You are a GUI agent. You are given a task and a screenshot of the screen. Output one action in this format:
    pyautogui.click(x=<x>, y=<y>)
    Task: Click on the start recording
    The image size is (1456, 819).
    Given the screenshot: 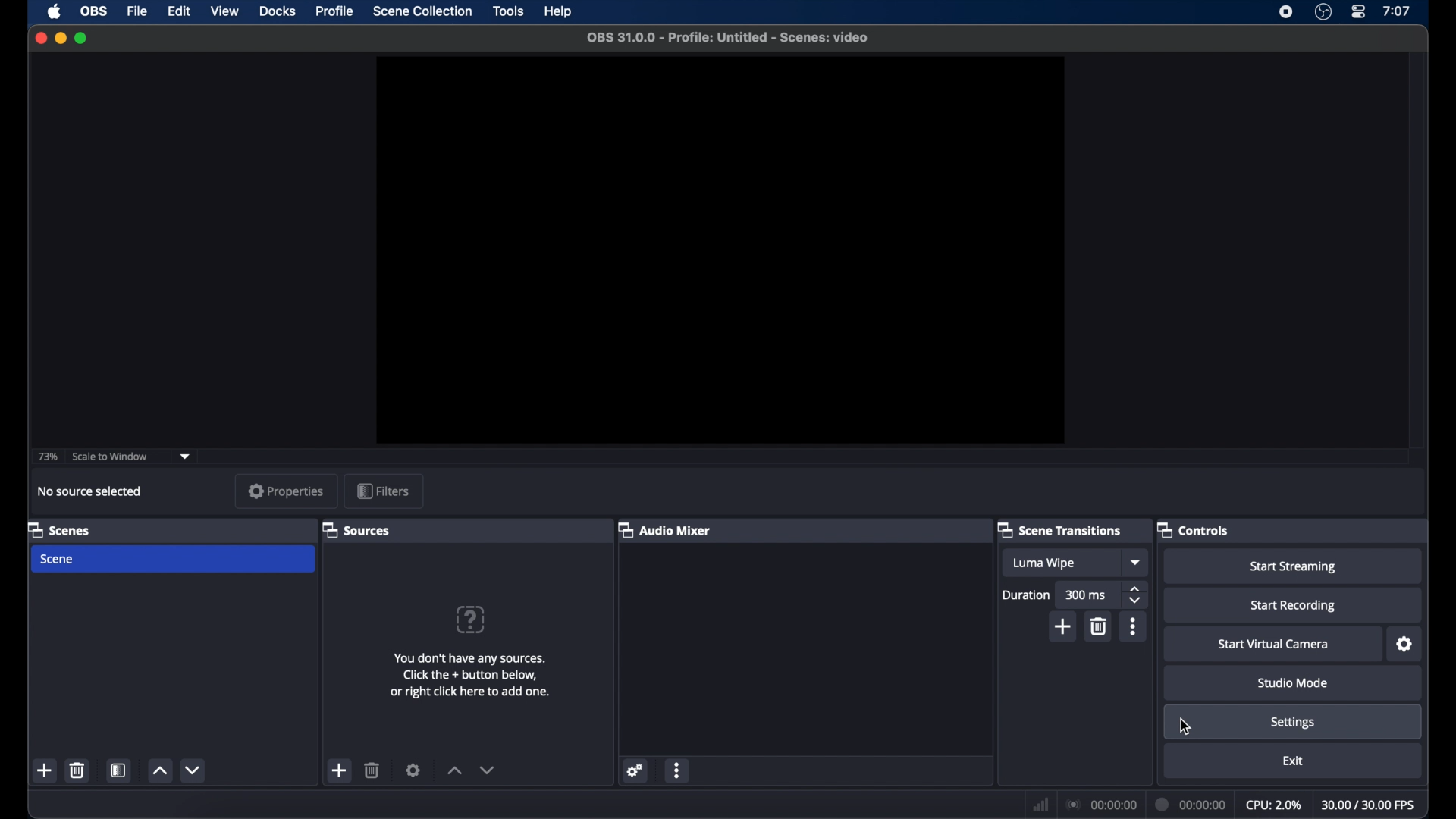 What is the action you would take?
    pyautogui.click(x=1294, y=606)
    